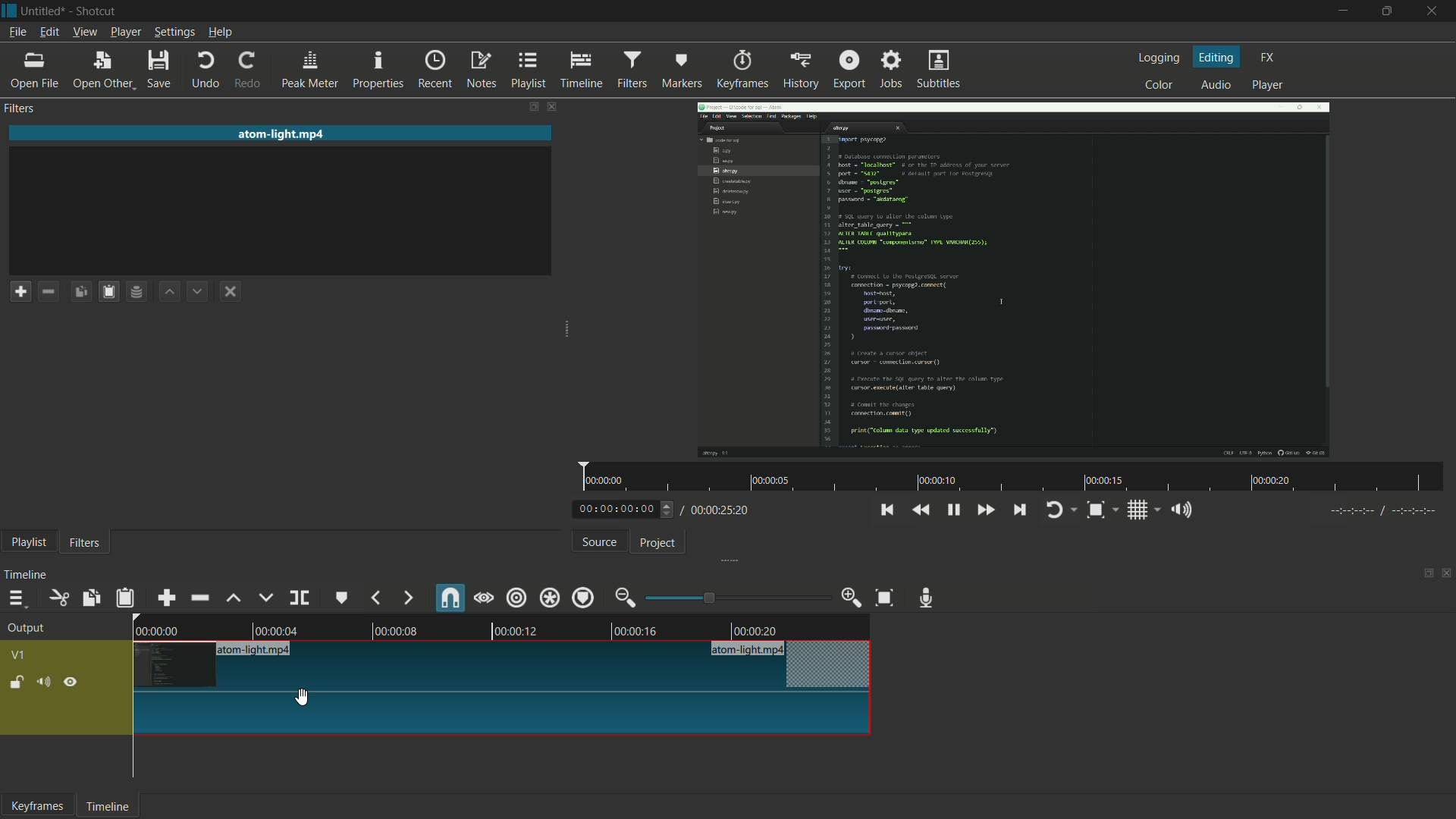 The height and width of the screenshot is (819, 1456). Describe the element at coordinates (220, 32) in the screenshot. I see `help menu` at that location.